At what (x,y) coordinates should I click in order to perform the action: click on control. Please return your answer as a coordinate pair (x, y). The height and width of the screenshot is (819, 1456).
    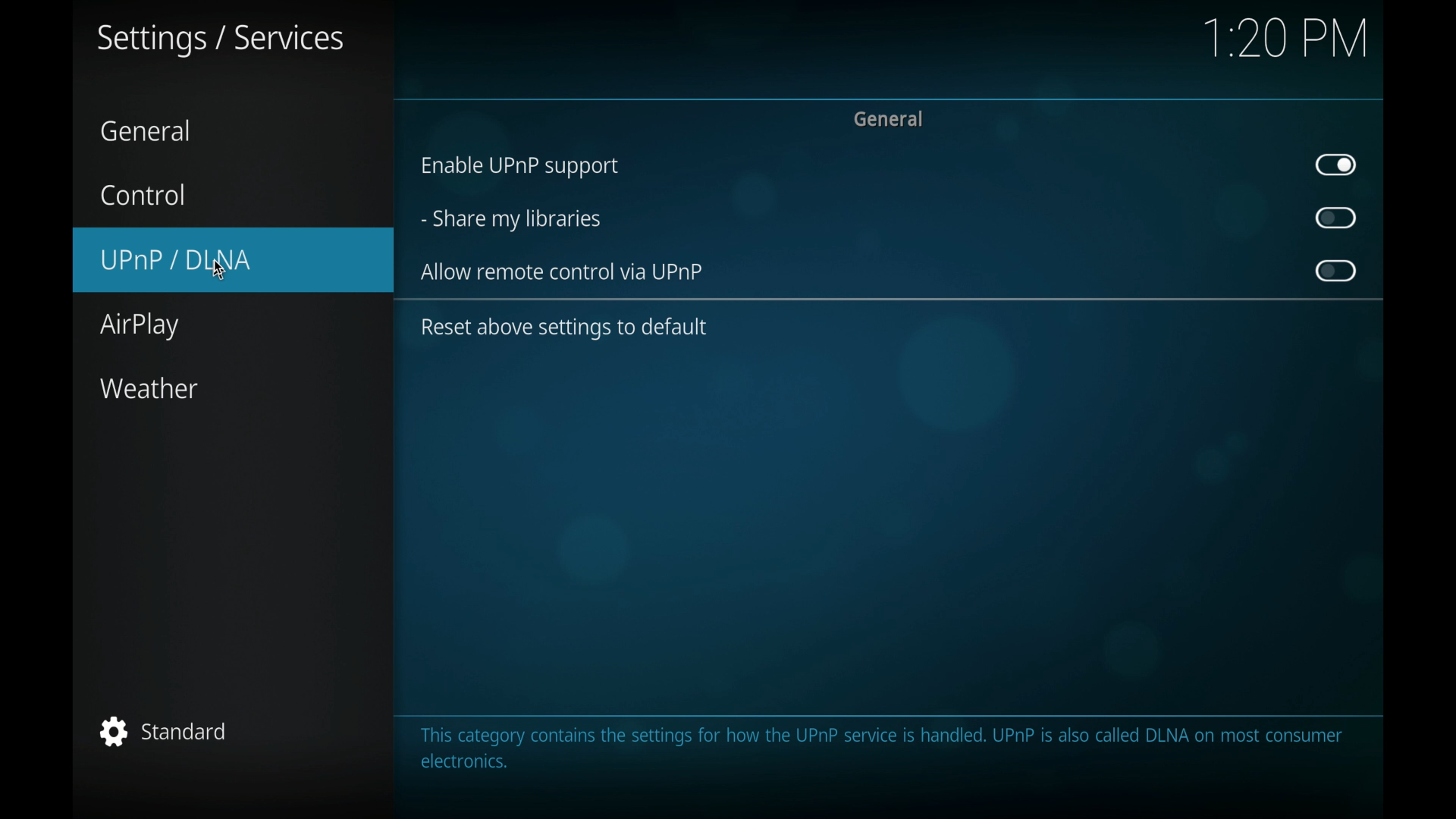
    Looking at the image, I should click on (143, 194).